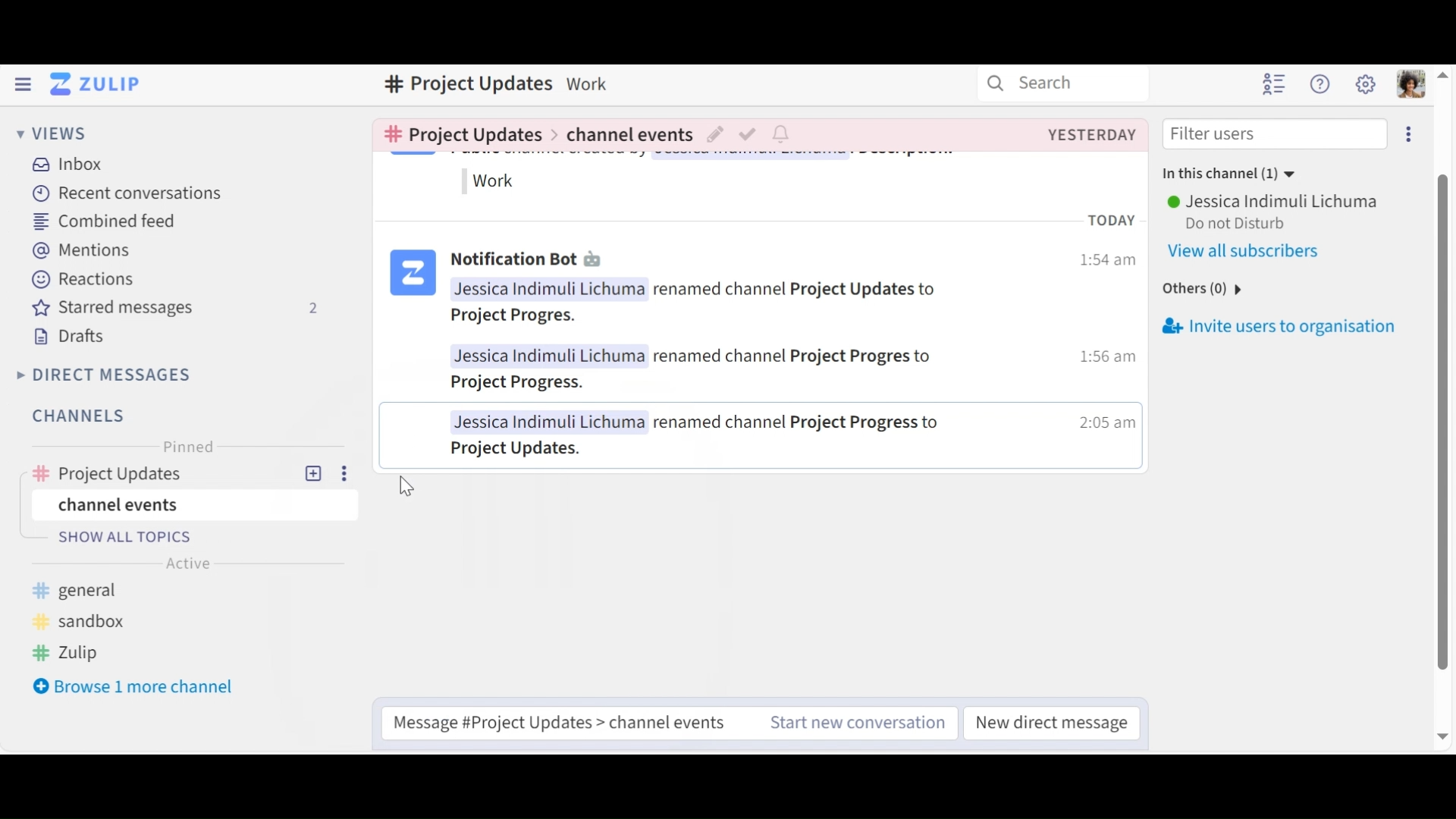  What do you see at coordinates (783, 135) in the screenshot?
I see `Configure notification` at bounding box center [783, 135].